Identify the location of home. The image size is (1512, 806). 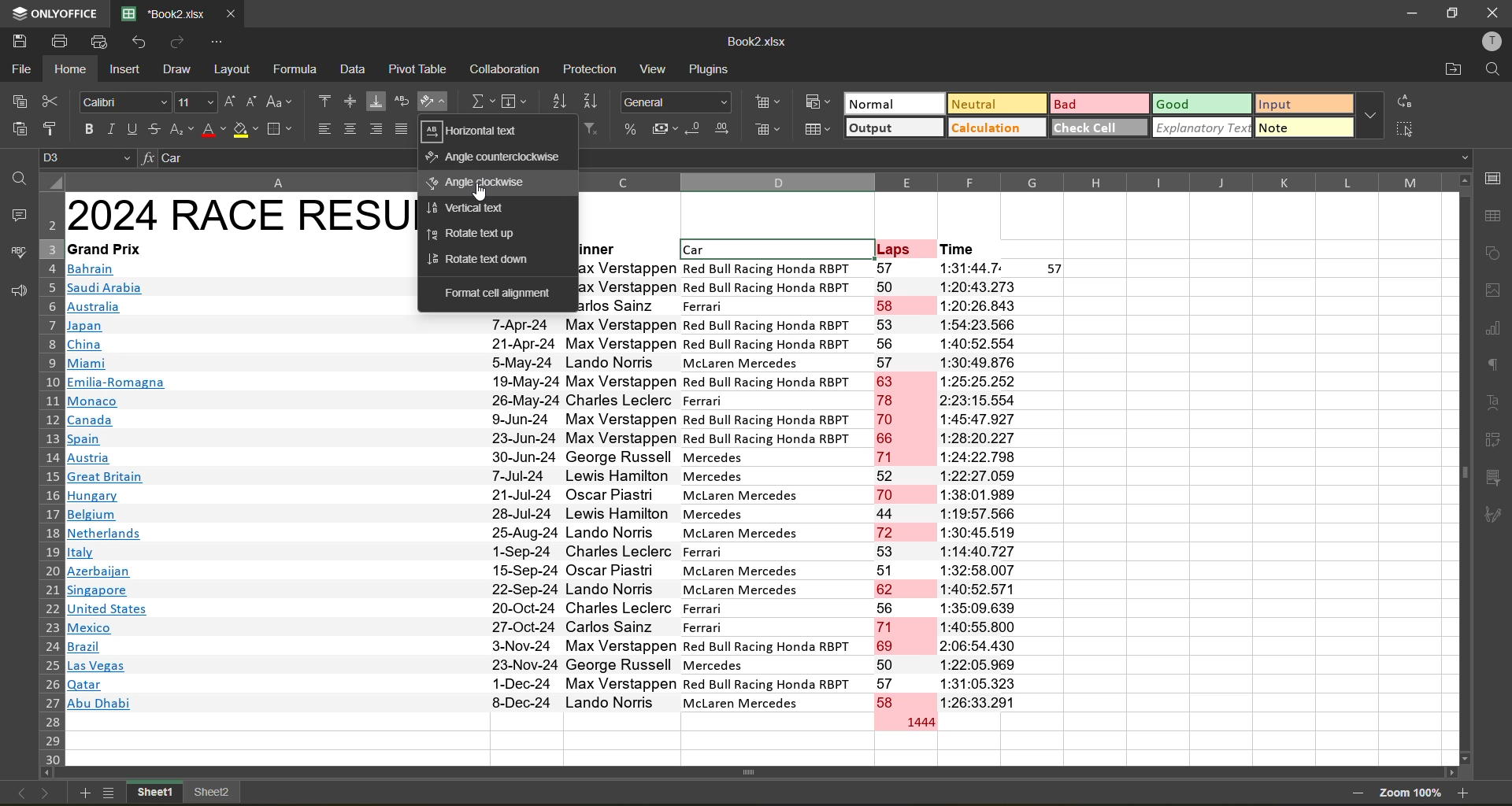
(70, 69).